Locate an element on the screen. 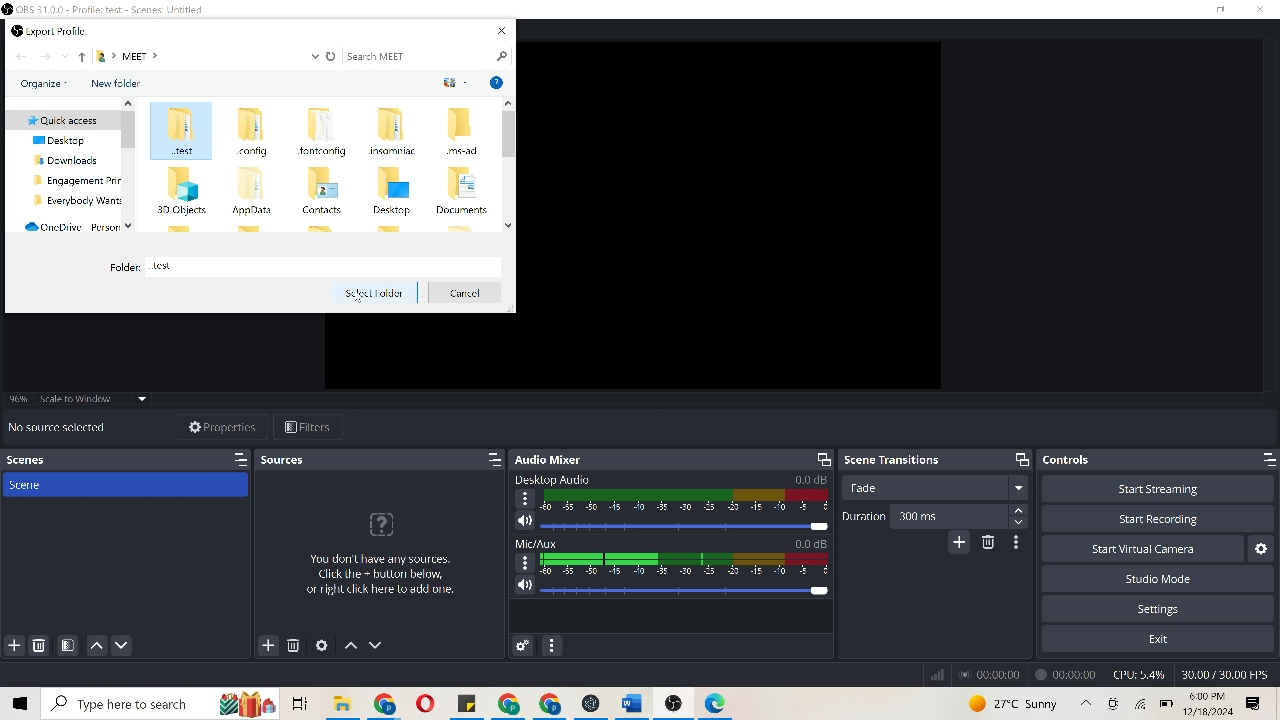 This screenshot has width=1280, height=720. Start recording is located at coordinates (1156, 523).